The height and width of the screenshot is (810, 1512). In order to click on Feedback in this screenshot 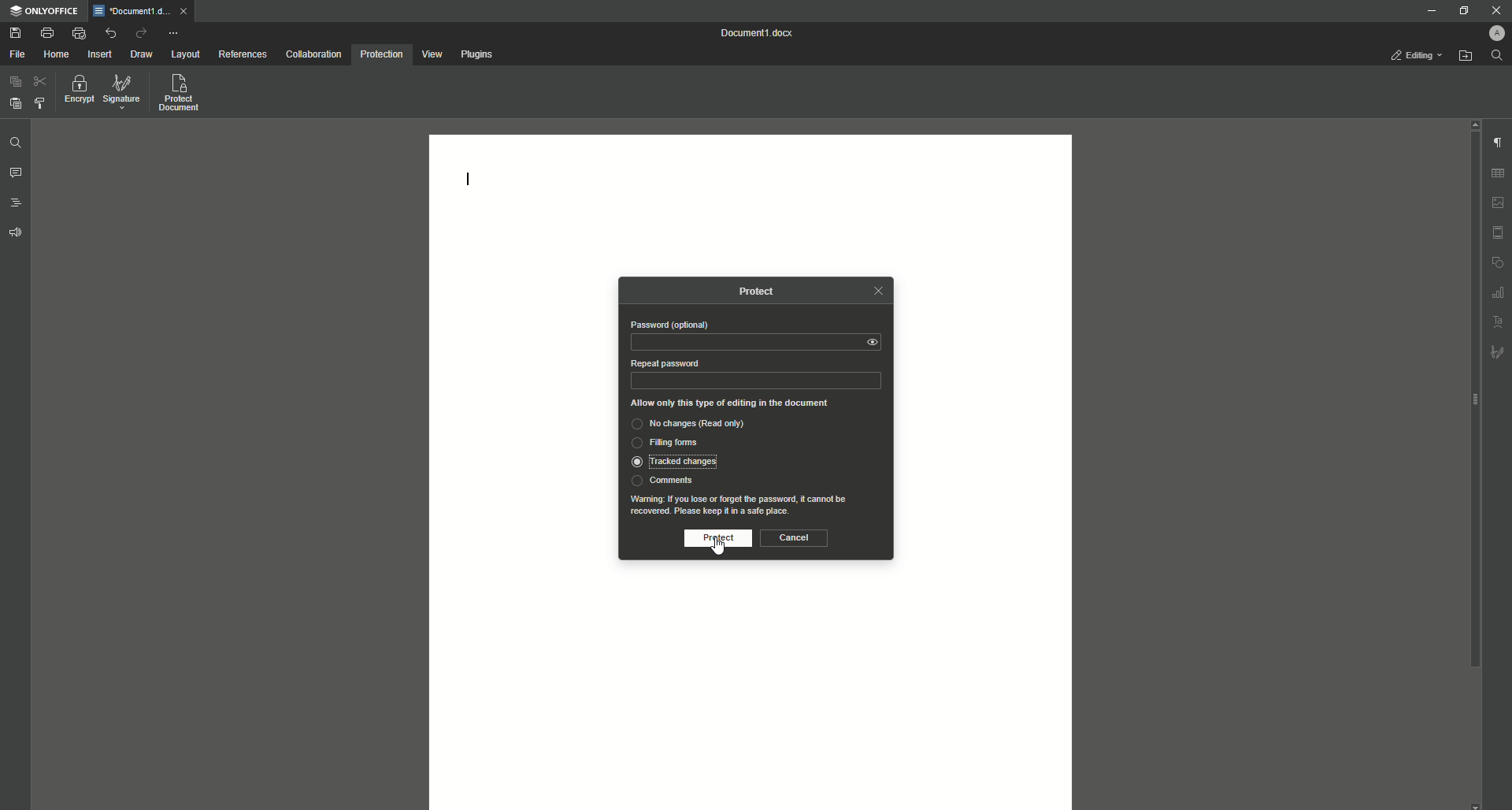, I will do `click(15, 234)`.